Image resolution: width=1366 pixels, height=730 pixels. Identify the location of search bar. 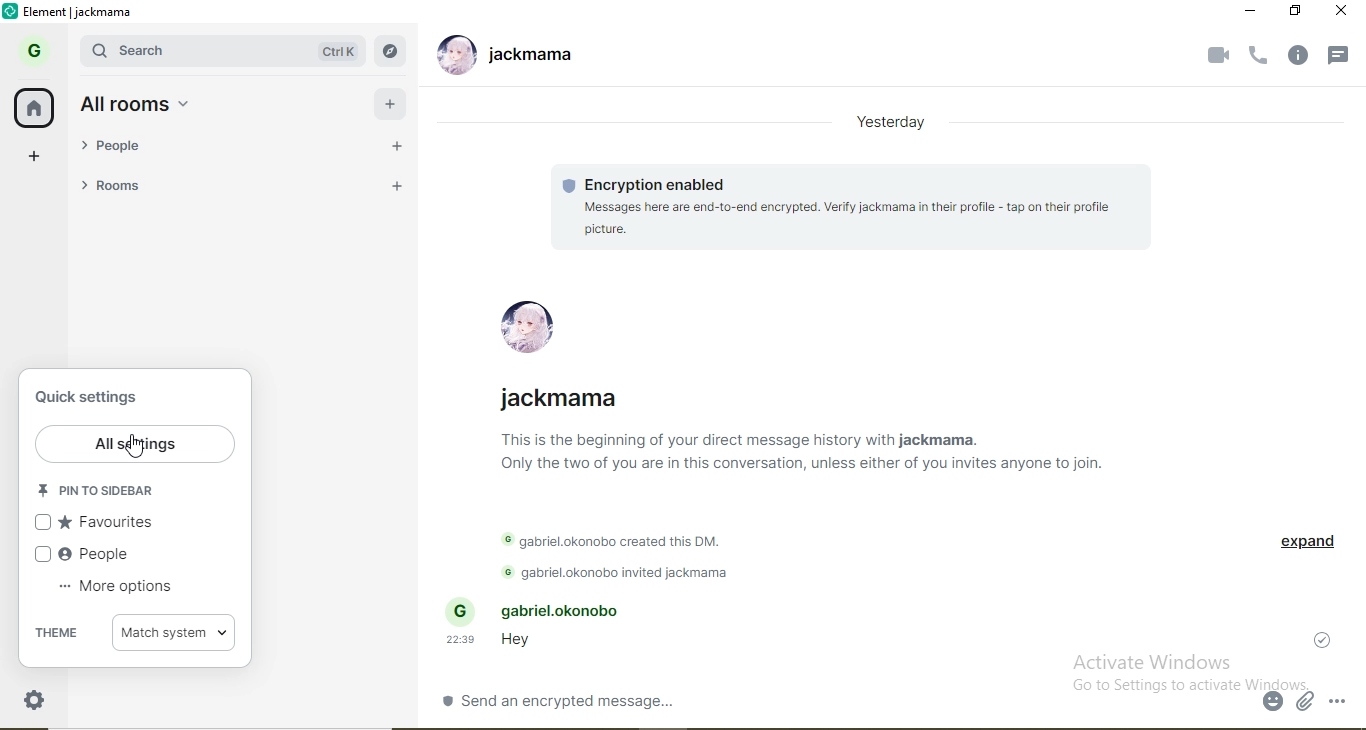
(154, 51).